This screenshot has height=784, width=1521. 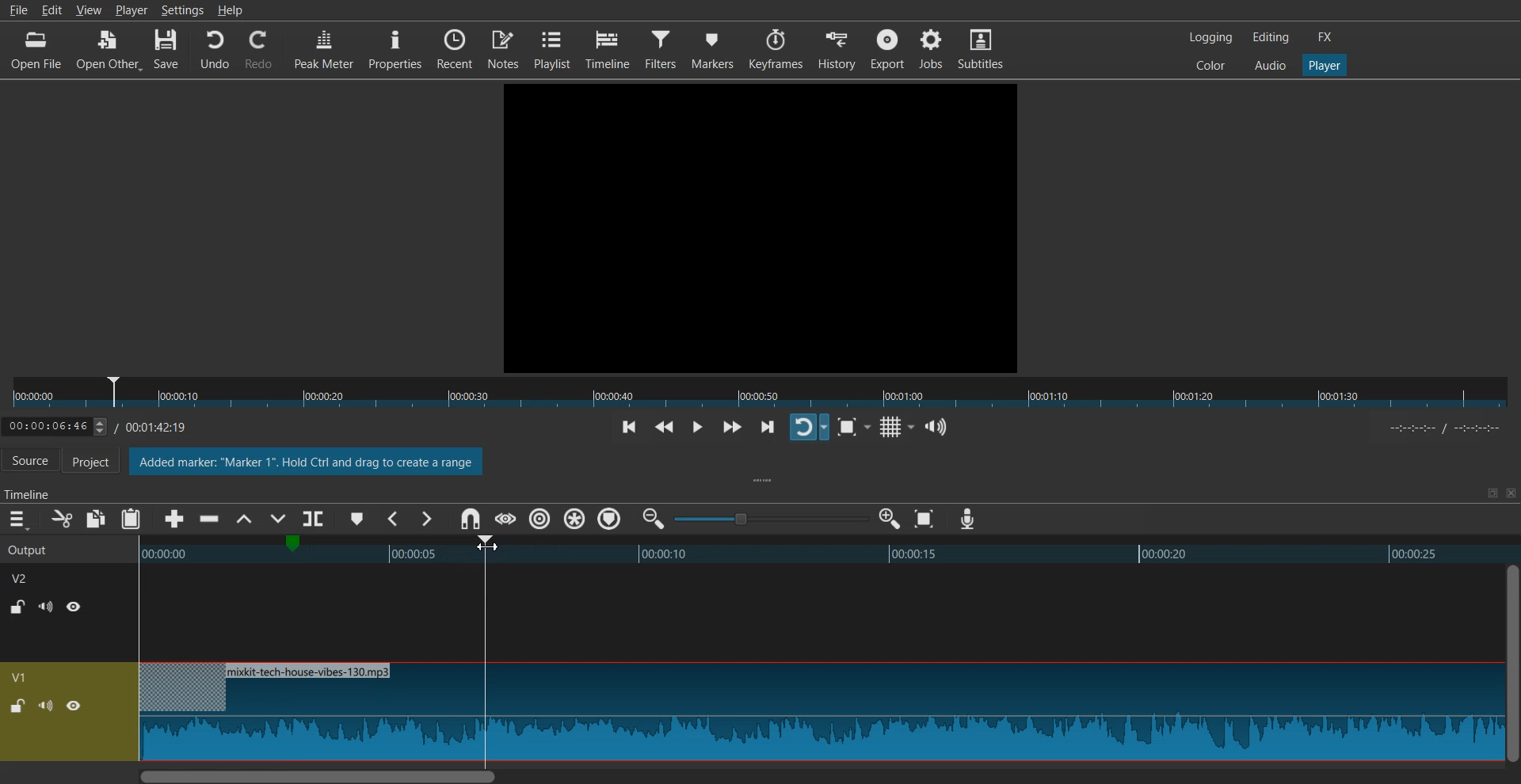 I want to click on Zoom adjuster toggle, so click(x=771, y=519).